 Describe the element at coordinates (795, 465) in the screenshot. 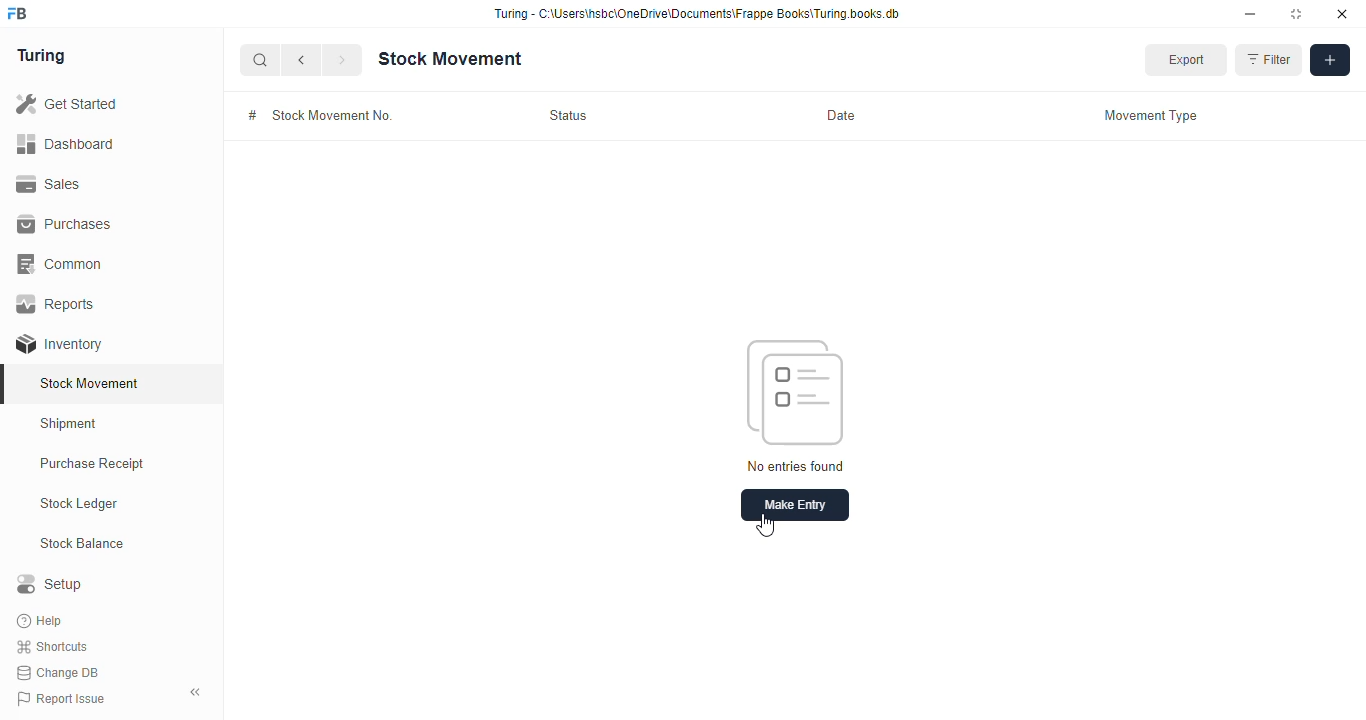

I see `no entries found` at that location.